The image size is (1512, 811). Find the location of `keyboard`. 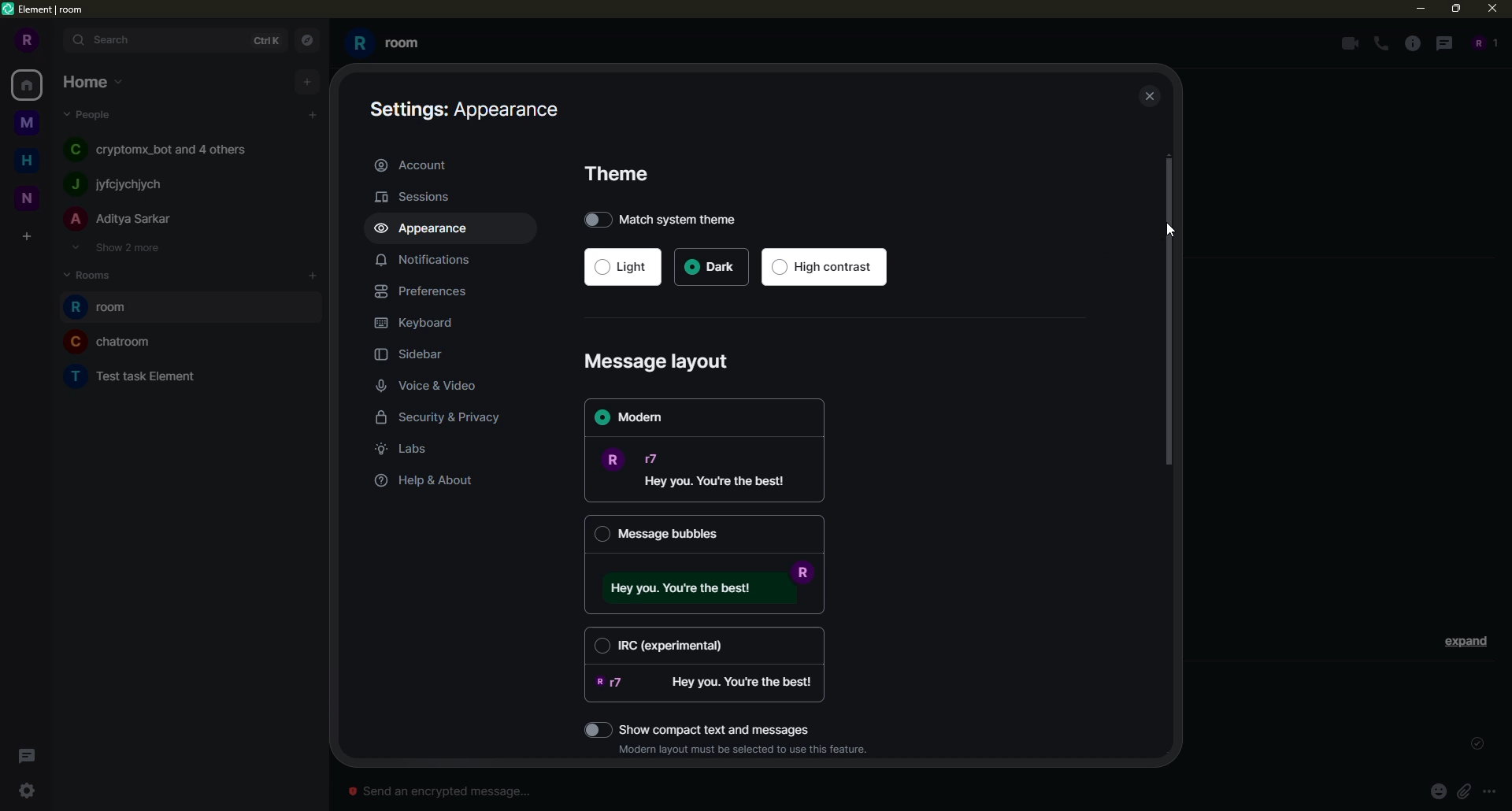

keyboard is located at coordinates (418, 323).